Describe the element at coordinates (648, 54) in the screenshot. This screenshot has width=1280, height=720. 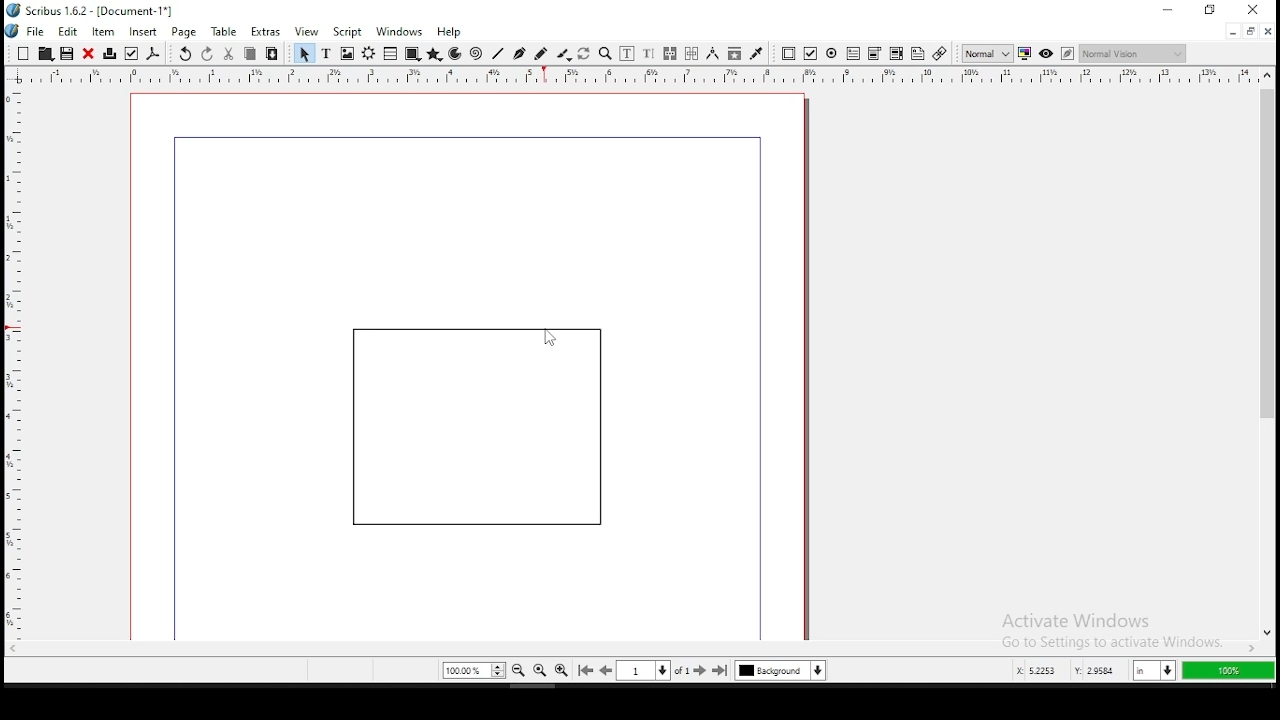
I see `edit text with story editor` at that location.